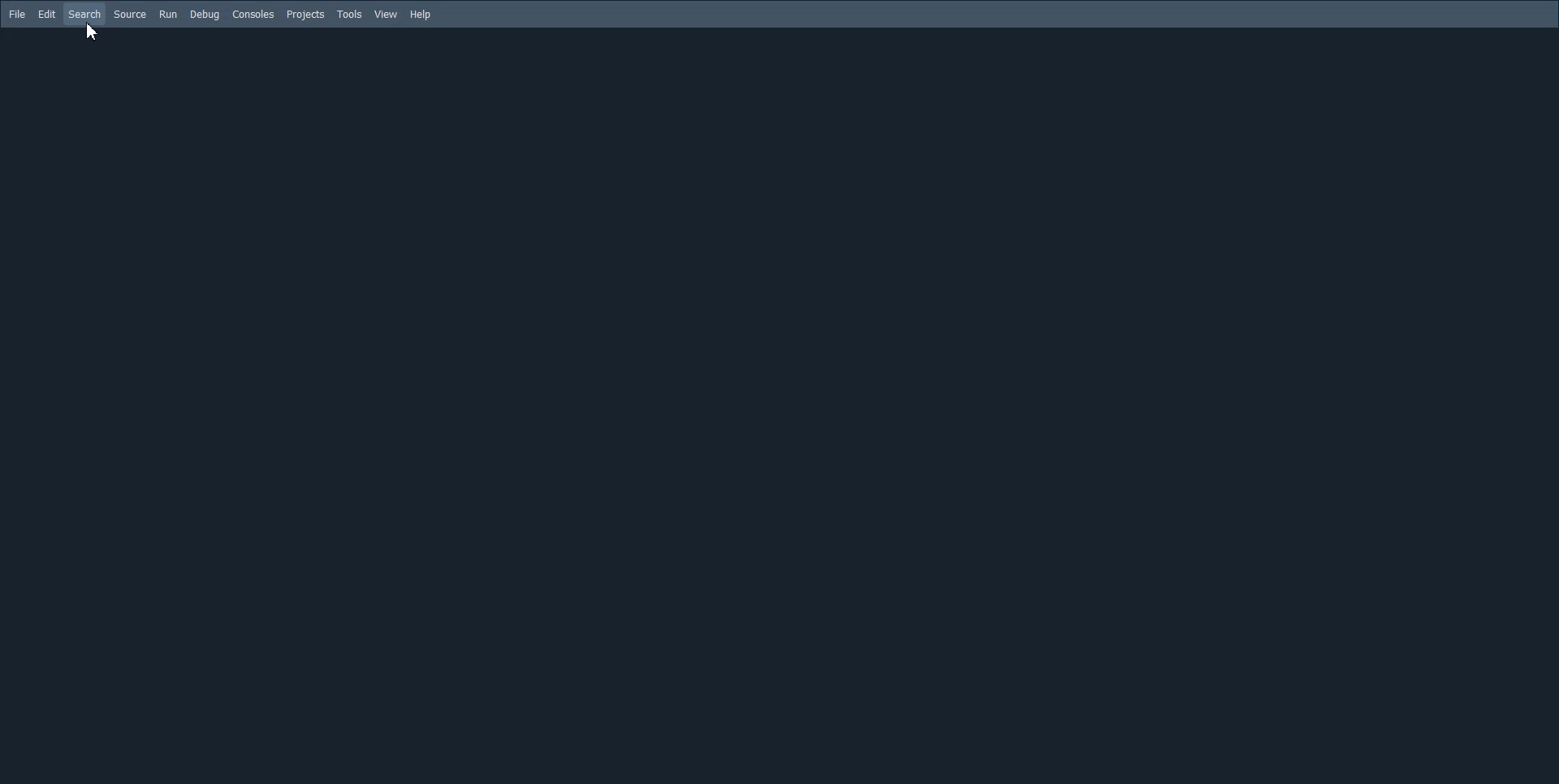  What do you see at coordinates (304, 15) in the screenshot?
I see `Projects` at bounding box center [304, 15].